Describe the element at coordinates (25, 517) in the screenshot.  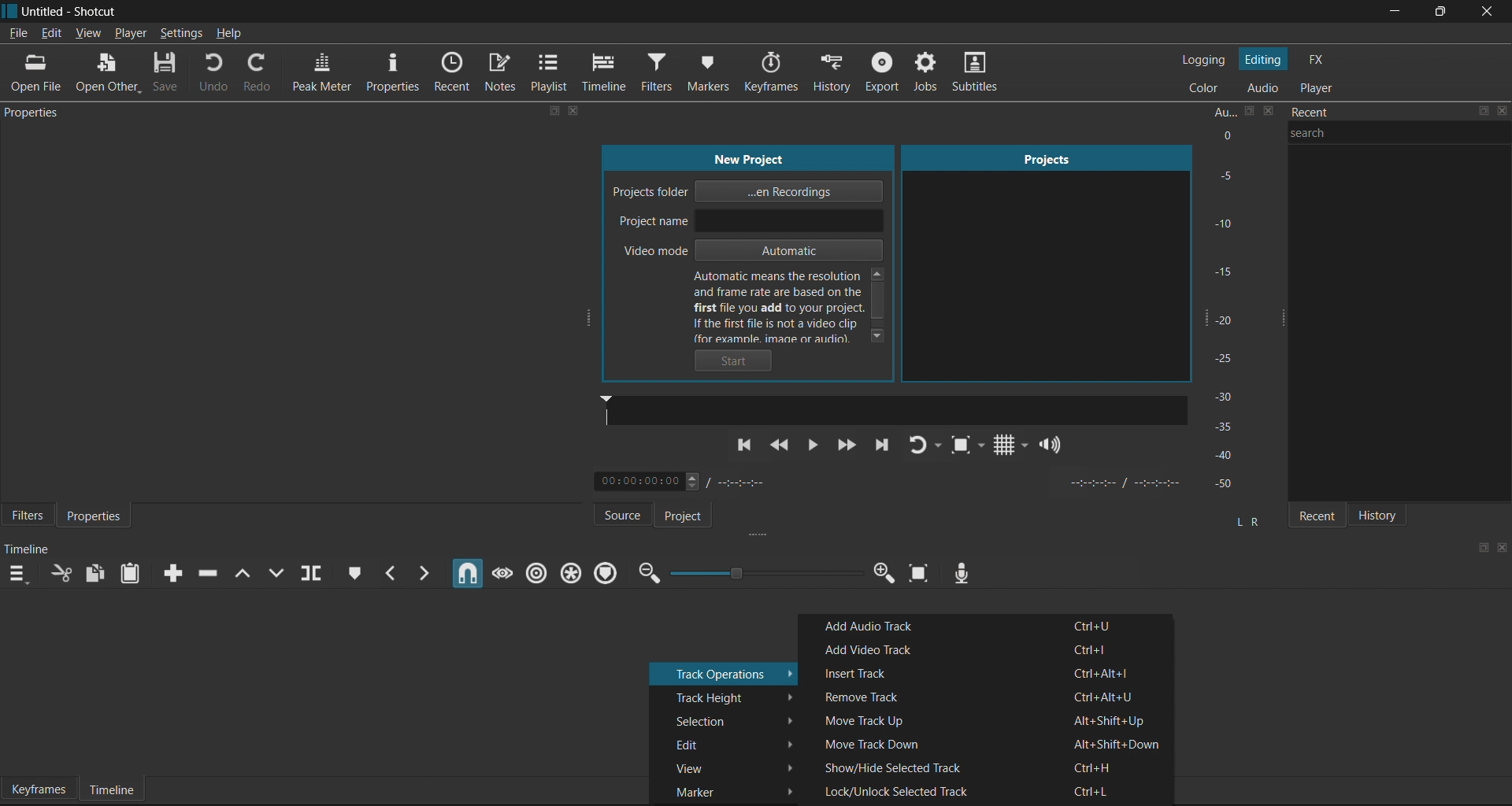
I see `Filters` at that location.